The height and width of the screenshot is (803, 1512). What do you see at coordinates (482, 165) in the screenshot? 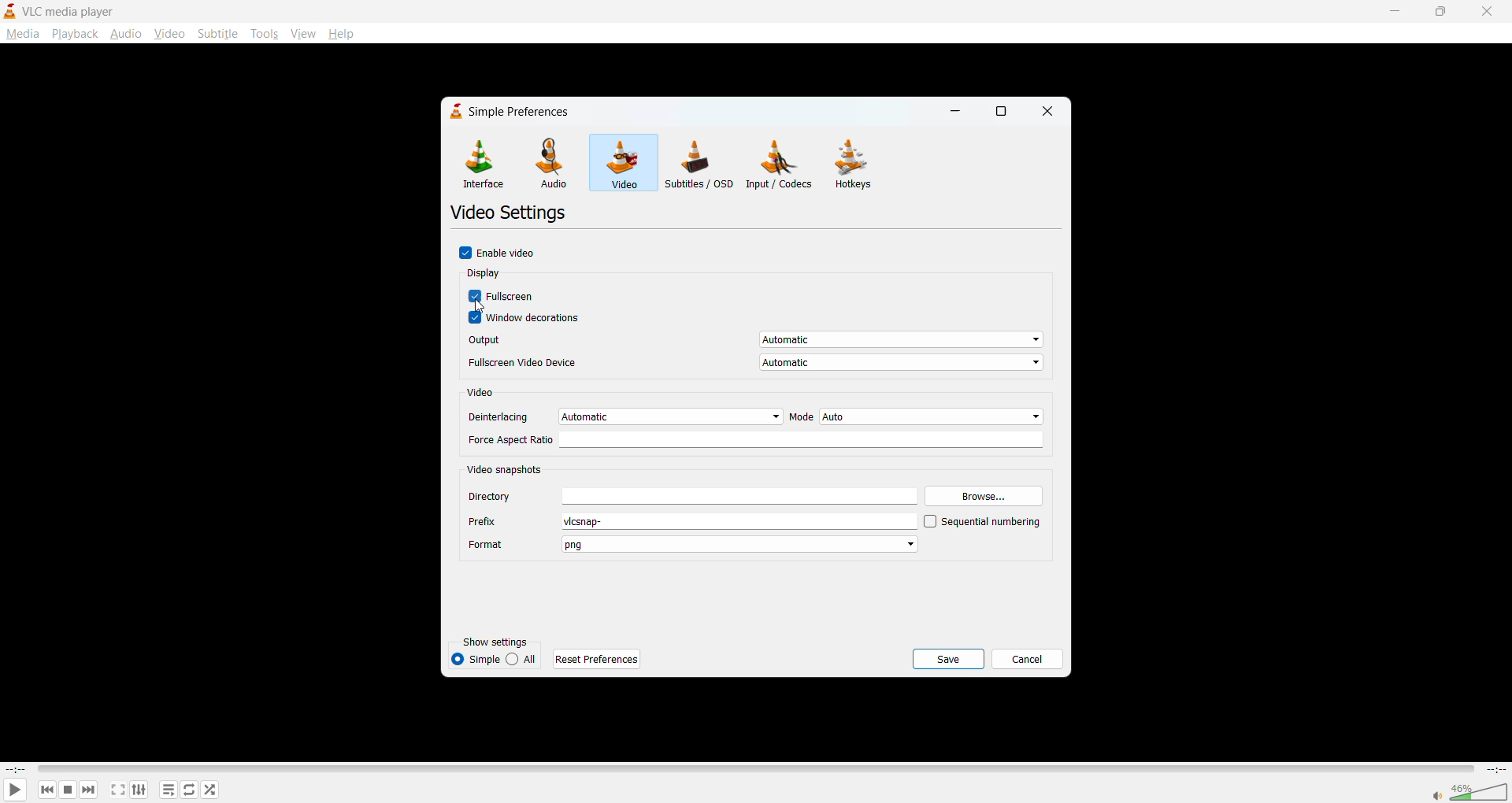
I see `interface` at bounding box center [482, 165].